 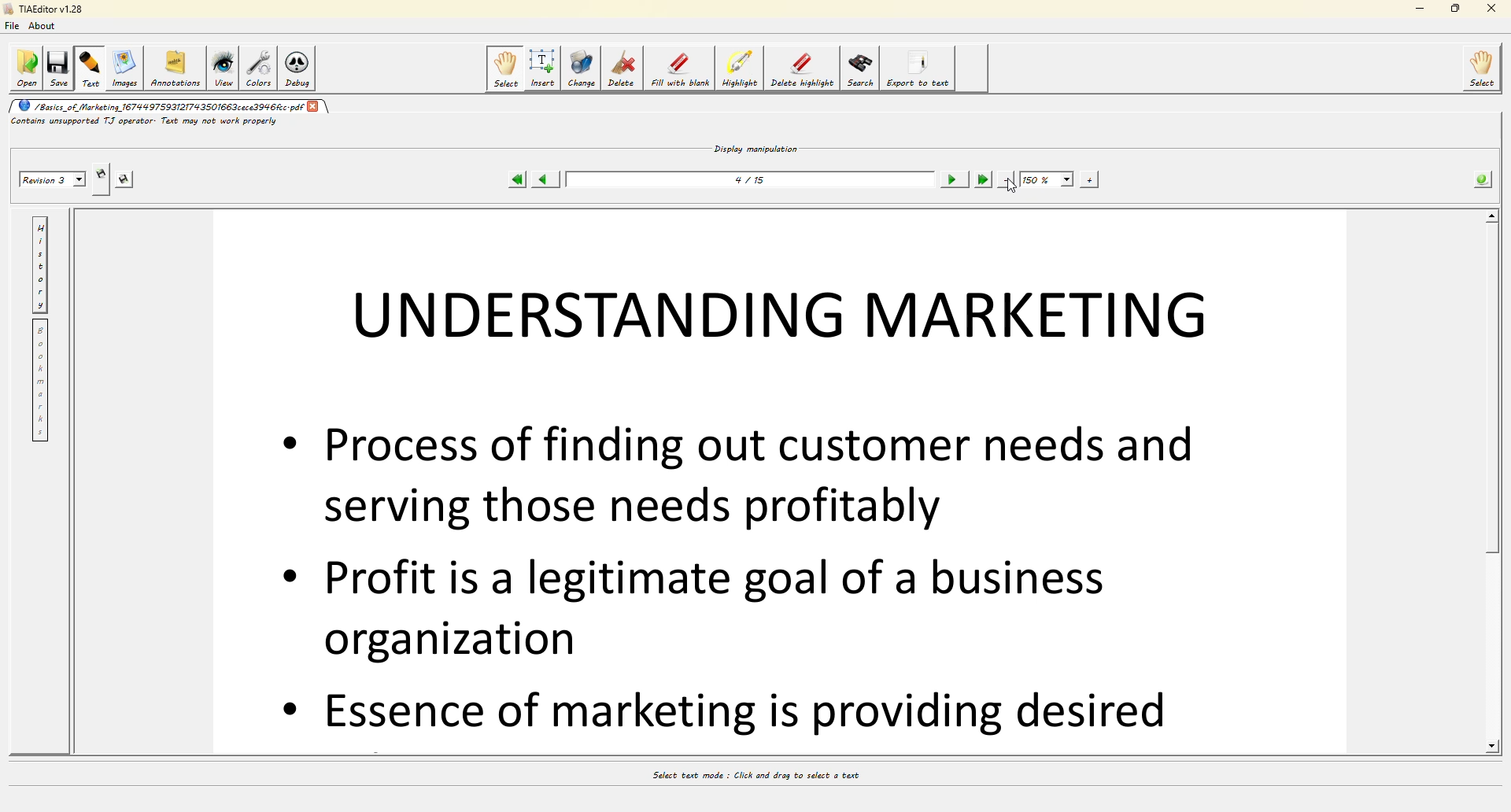 What do you see at coordinates (43, 27) in the screenshot?
I see `about` at bounding box center [43, 27].